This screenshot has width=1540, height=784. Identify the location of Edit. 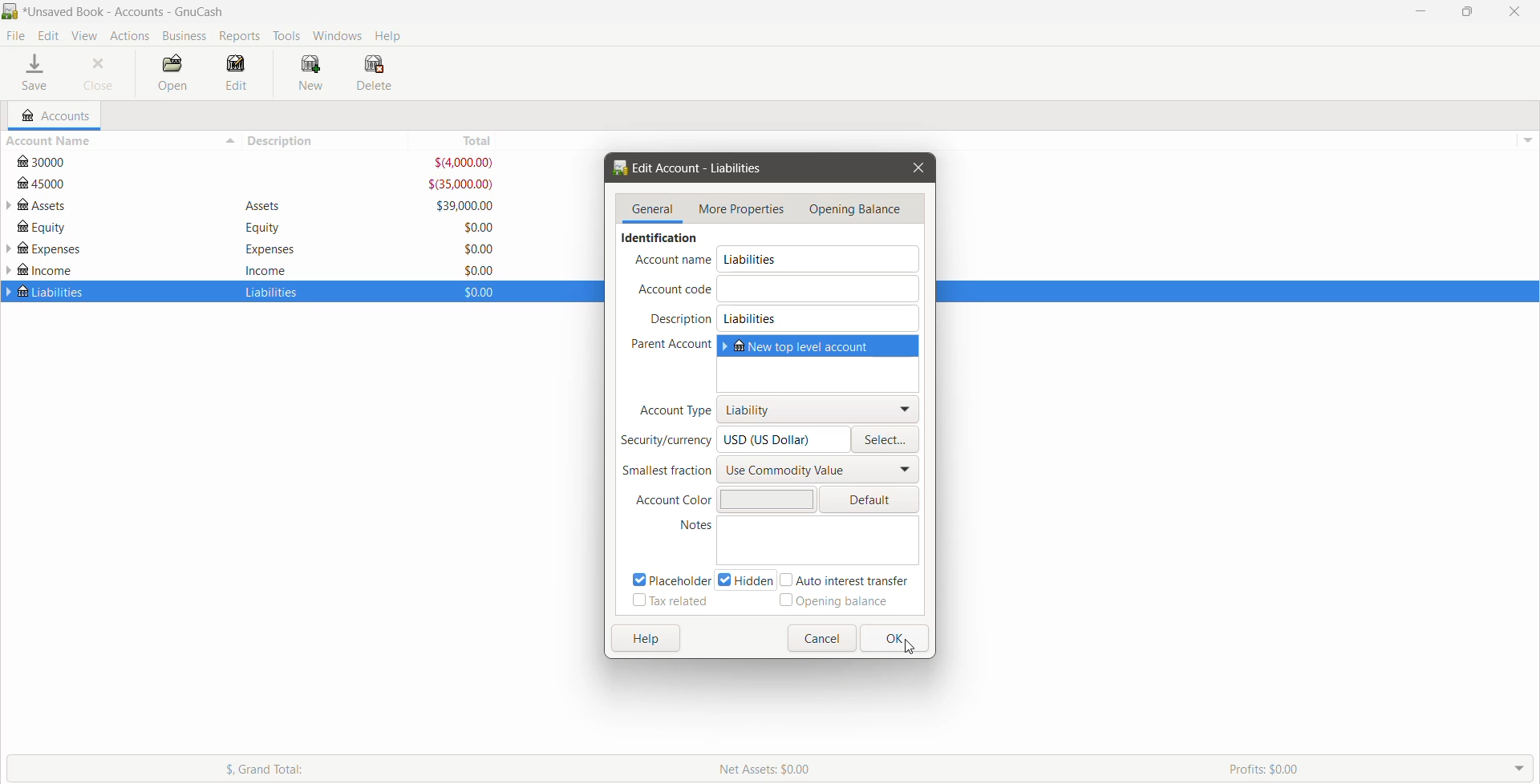
(51, 36).